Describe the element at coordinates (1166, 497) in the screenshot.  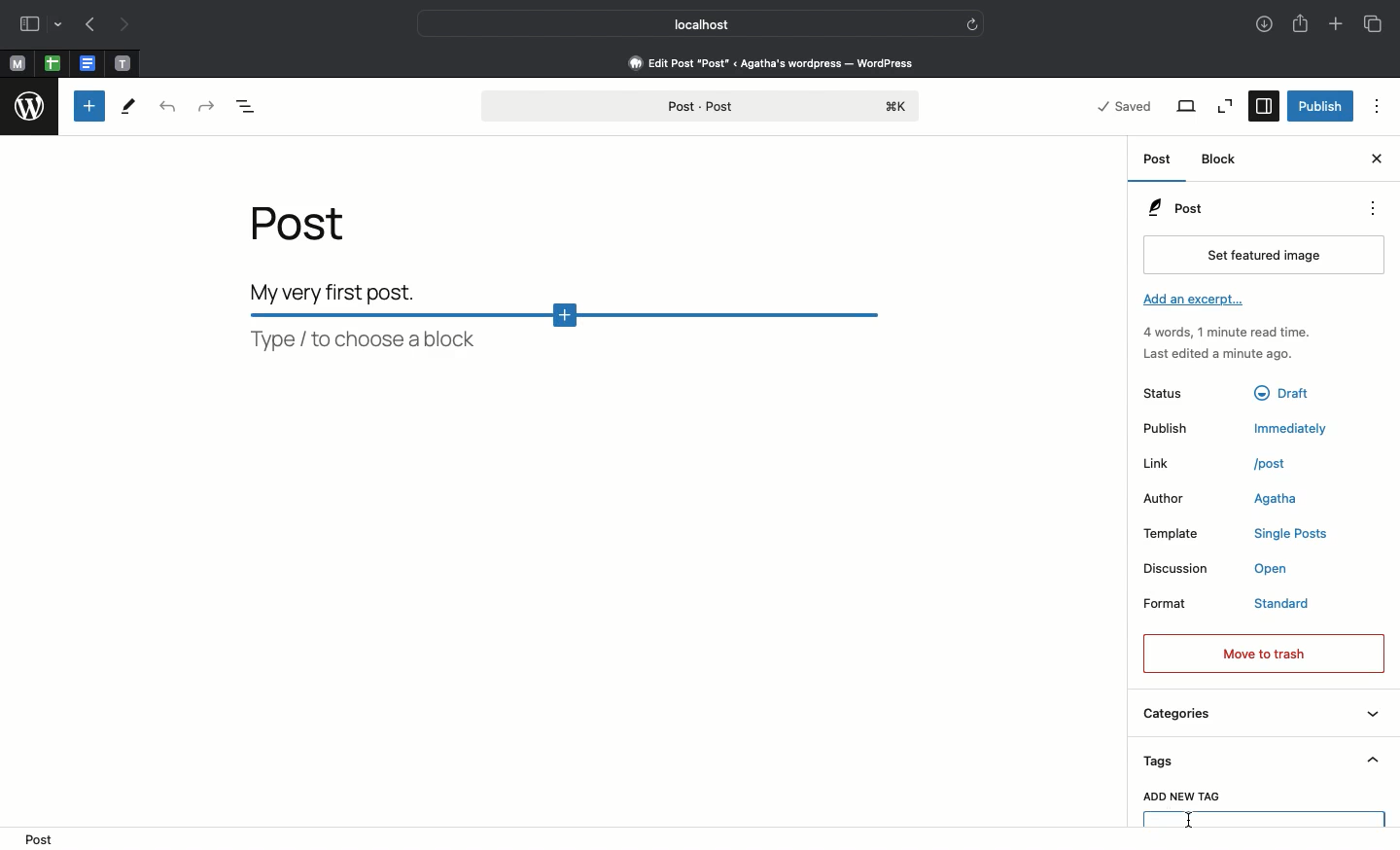
I see `Author` at that location.